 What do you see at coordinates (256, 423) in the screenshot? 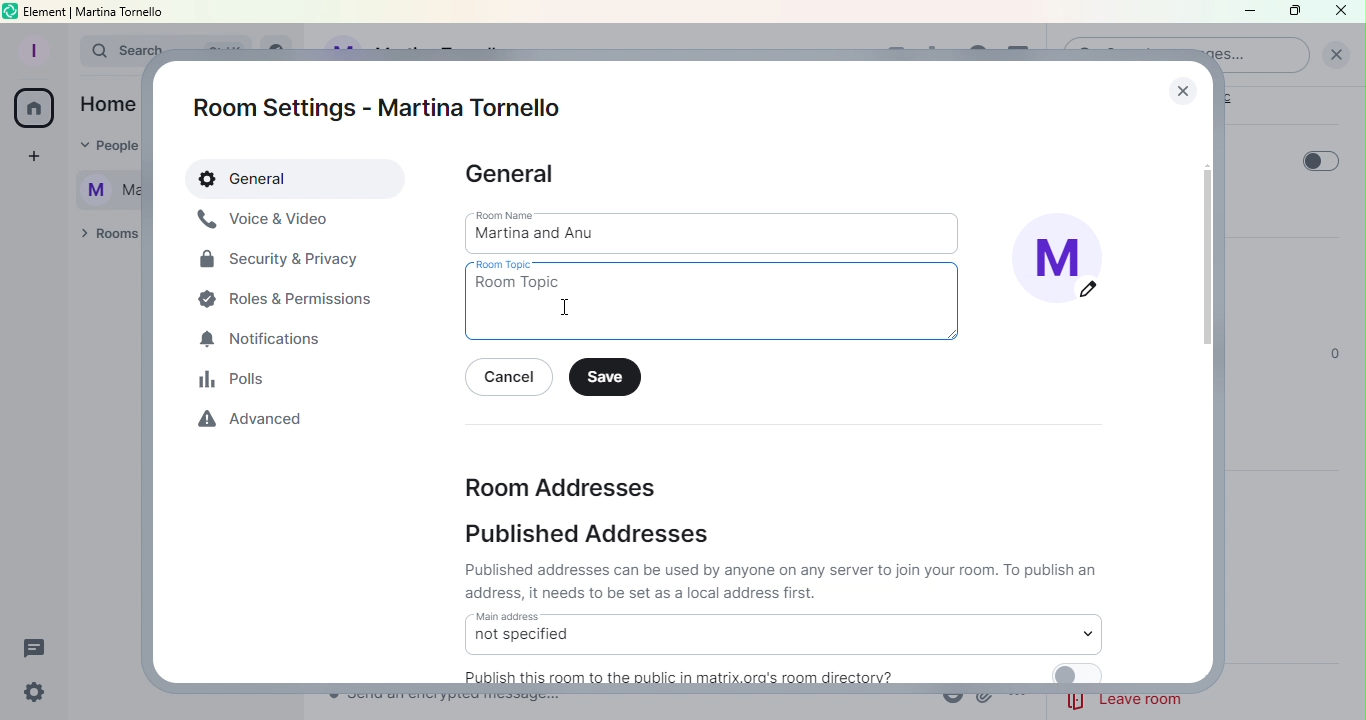
I see `Advanced` at bounding box center [256, 423].